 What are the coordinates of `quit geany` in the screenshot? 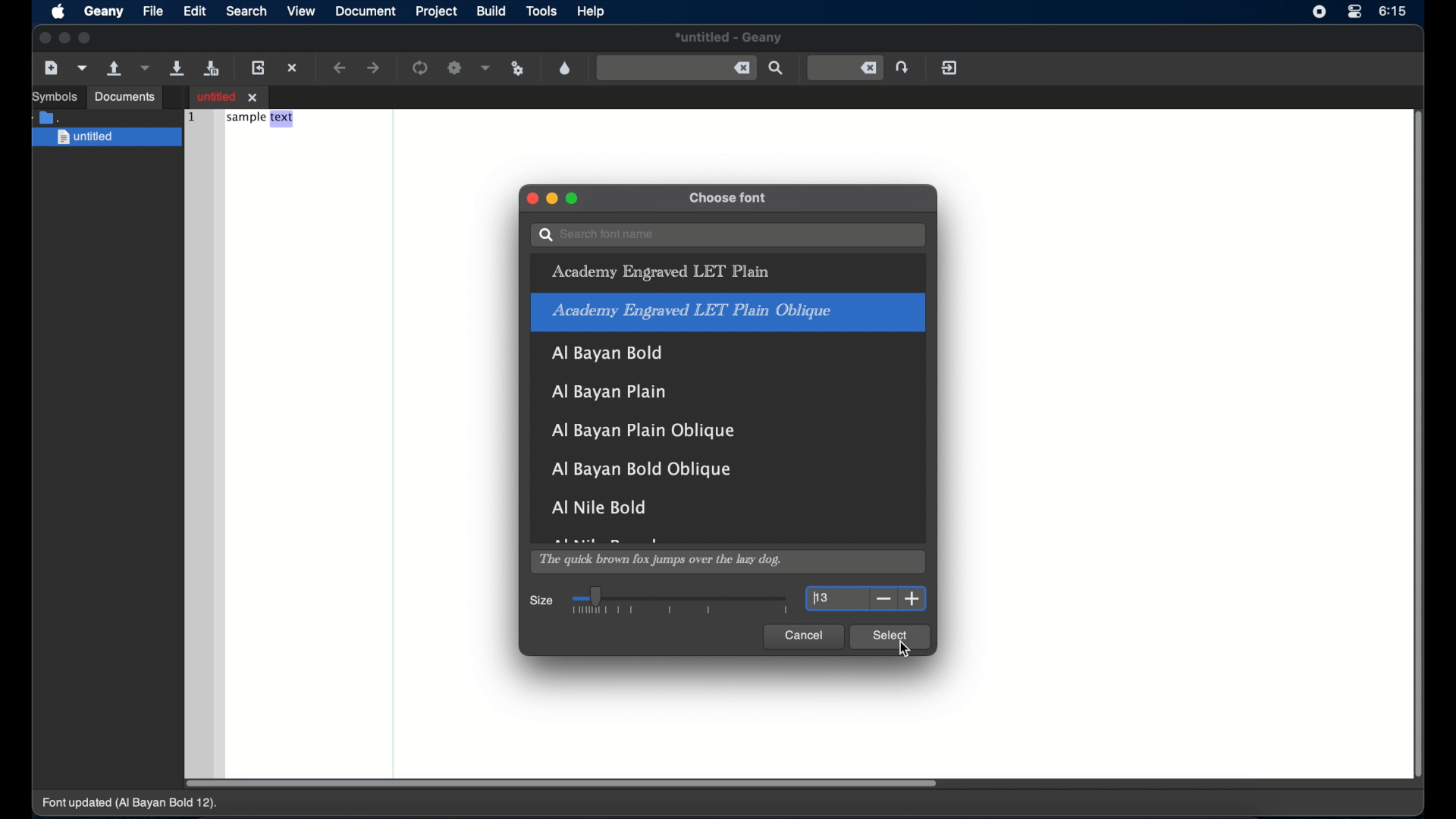 It's located at (949, 67).